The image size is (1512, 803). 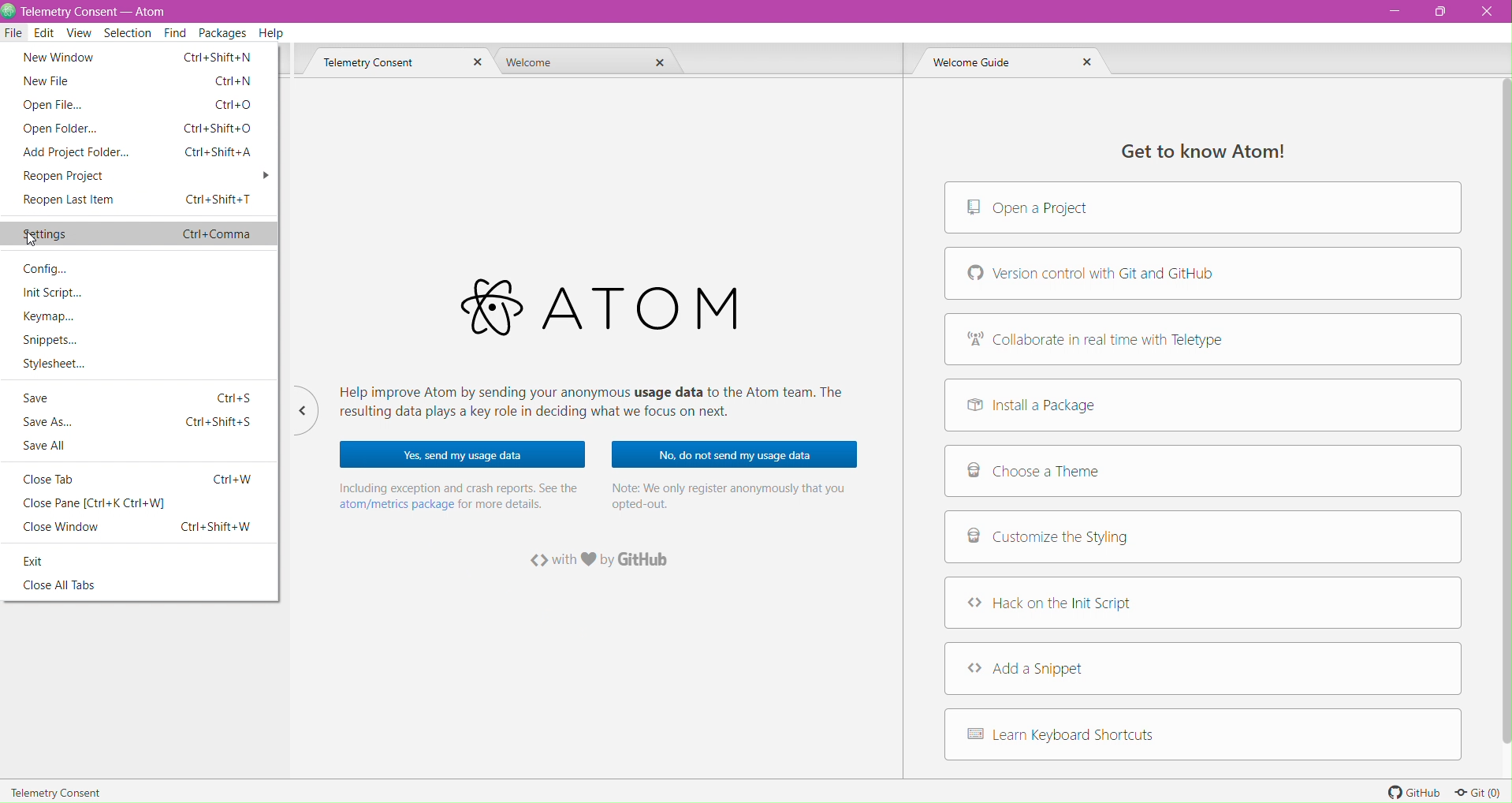 I want to click on Telemetry Consent, so click(x=382, y=64).